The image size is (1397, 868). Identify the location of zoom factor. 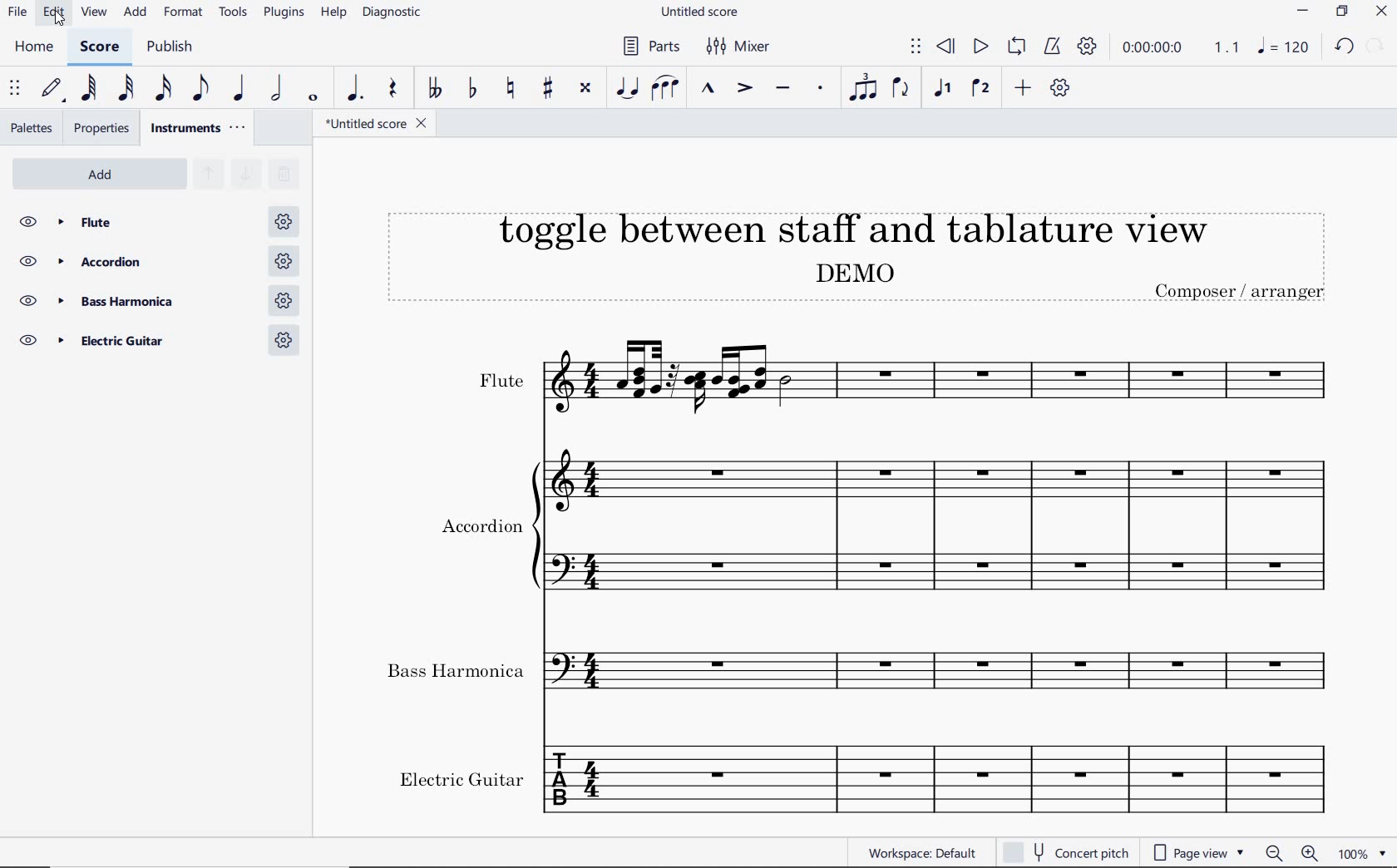
(1362, 851).